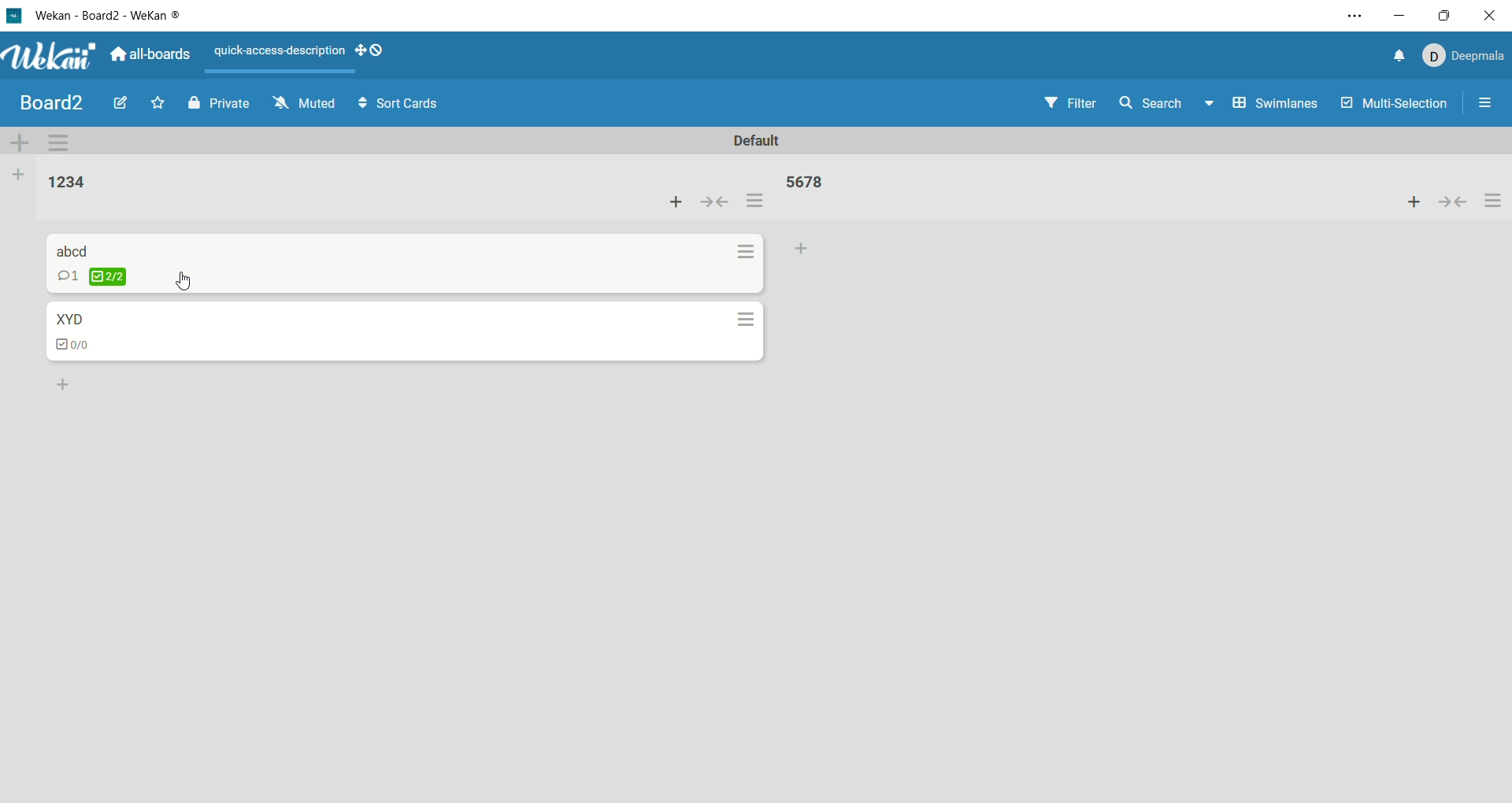 Image resolution: width=1512 pixels, height=803 pixels. Describe the element at coordinates (1444, 17) in the screenshot. I see `maximize` at that location.